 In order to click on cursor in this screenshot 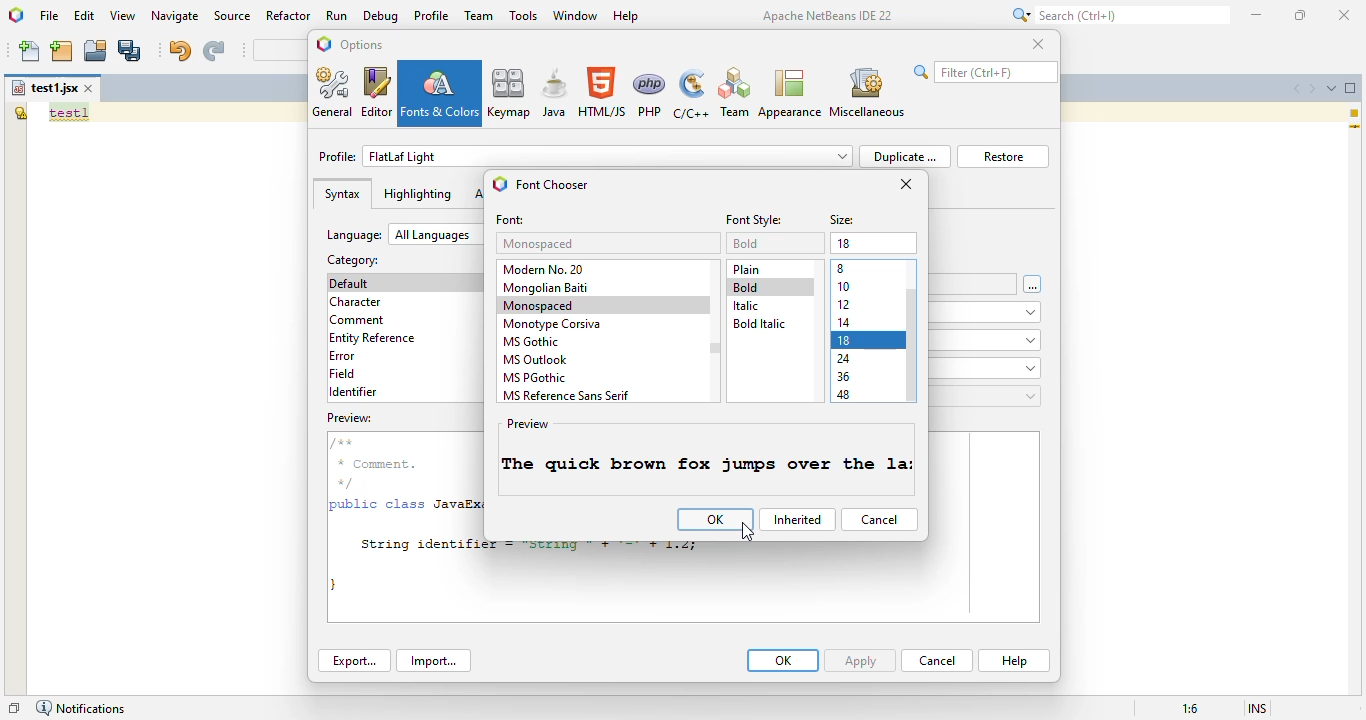, I will do `click(749, 533)`.